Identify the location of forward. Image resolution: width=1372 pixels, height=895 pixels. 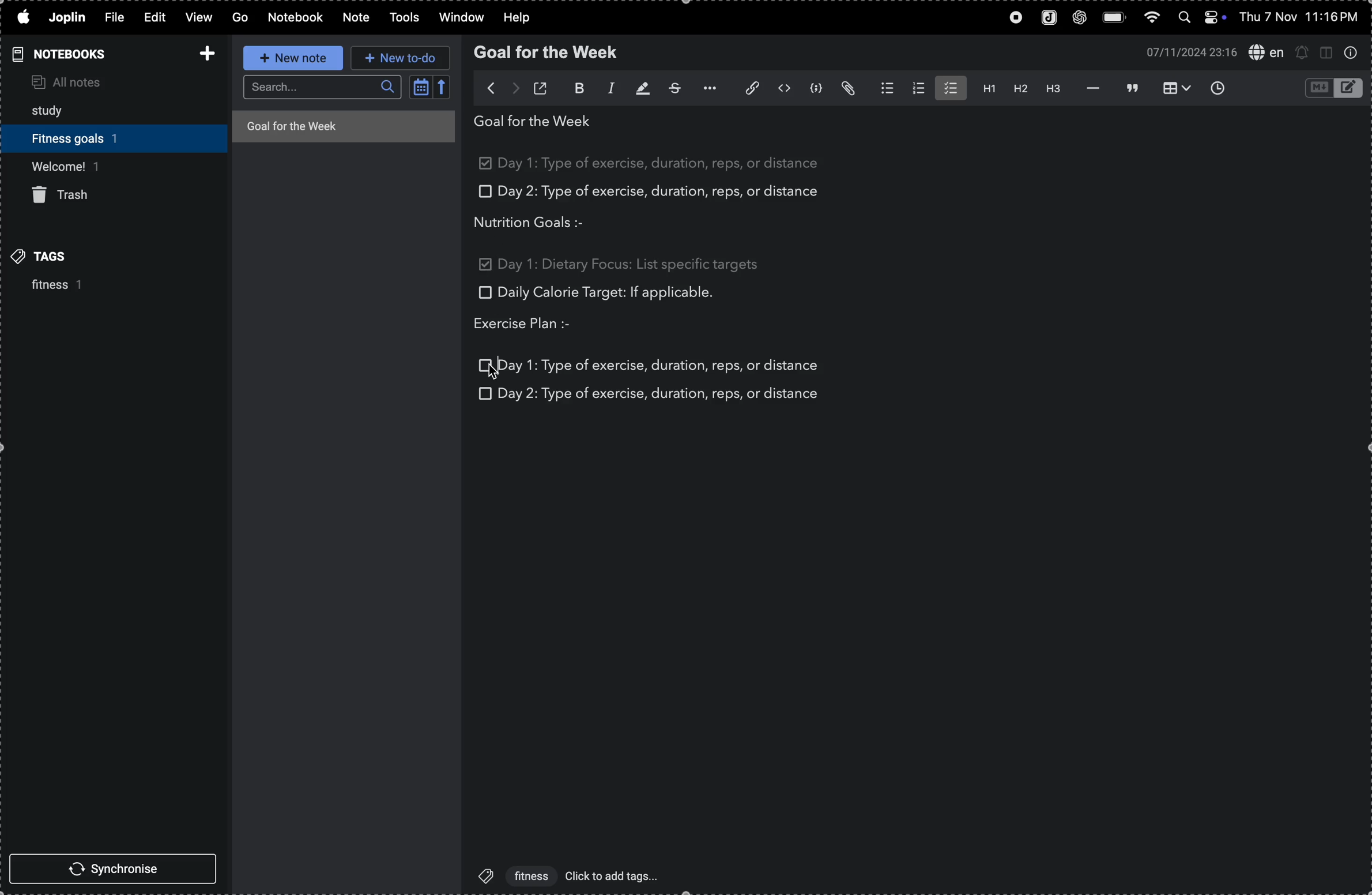
(515, 86).